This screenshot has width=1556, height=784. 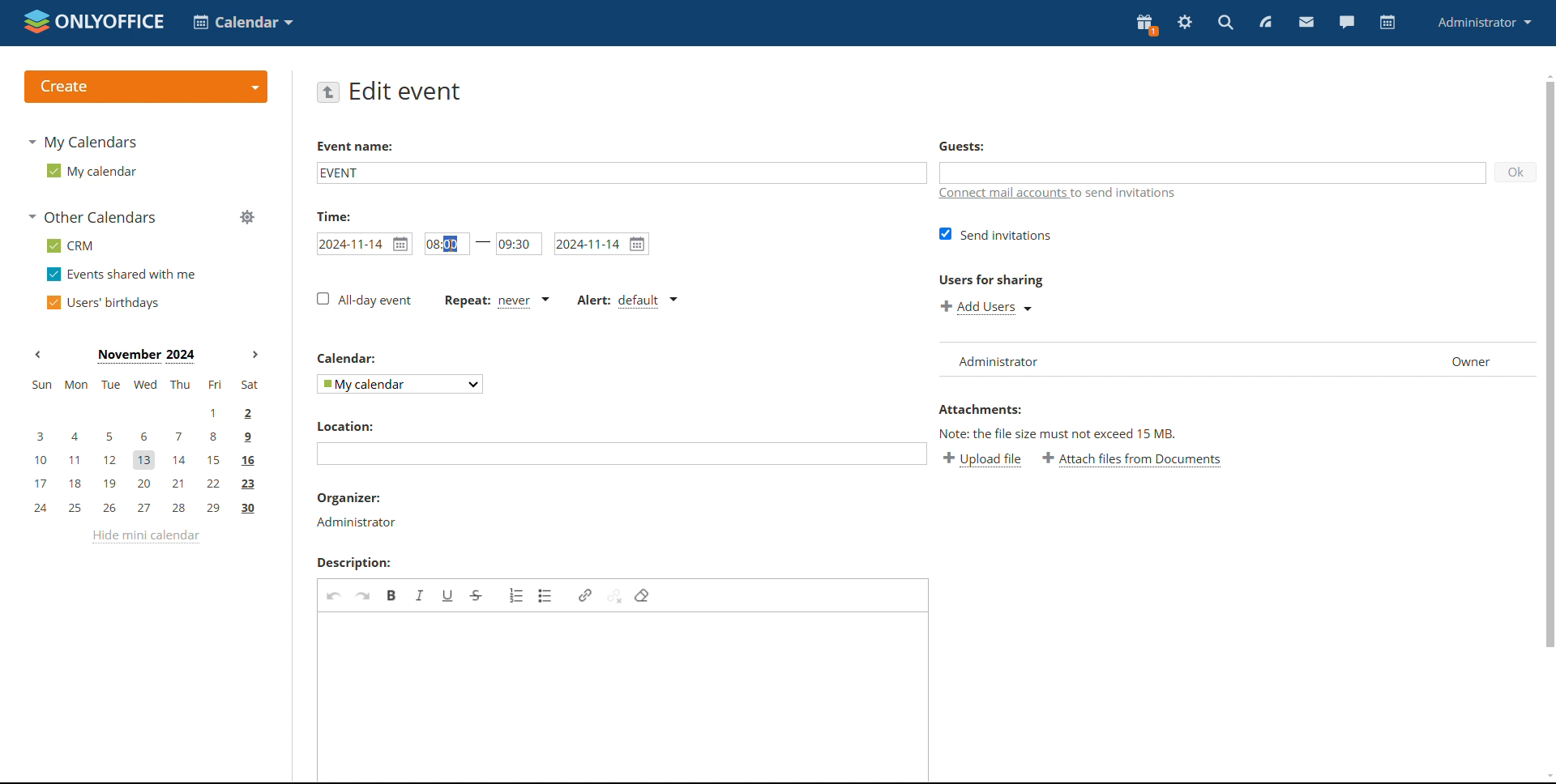 I want to click on calendar, so click(x=1386, y=23).